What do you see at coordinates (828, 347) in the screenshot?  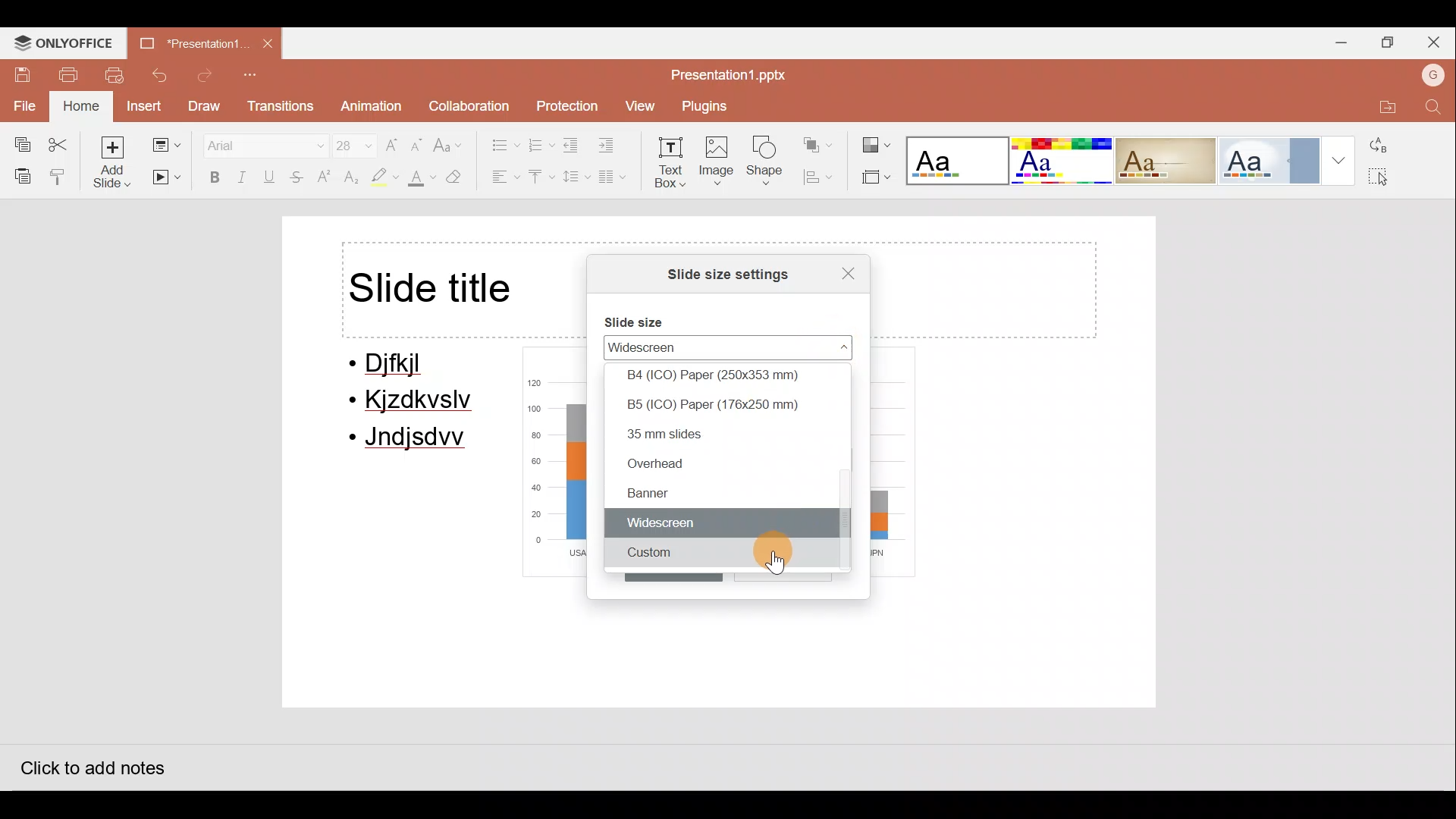 I see `Slide size drop down` at bounding box center [828, 347].